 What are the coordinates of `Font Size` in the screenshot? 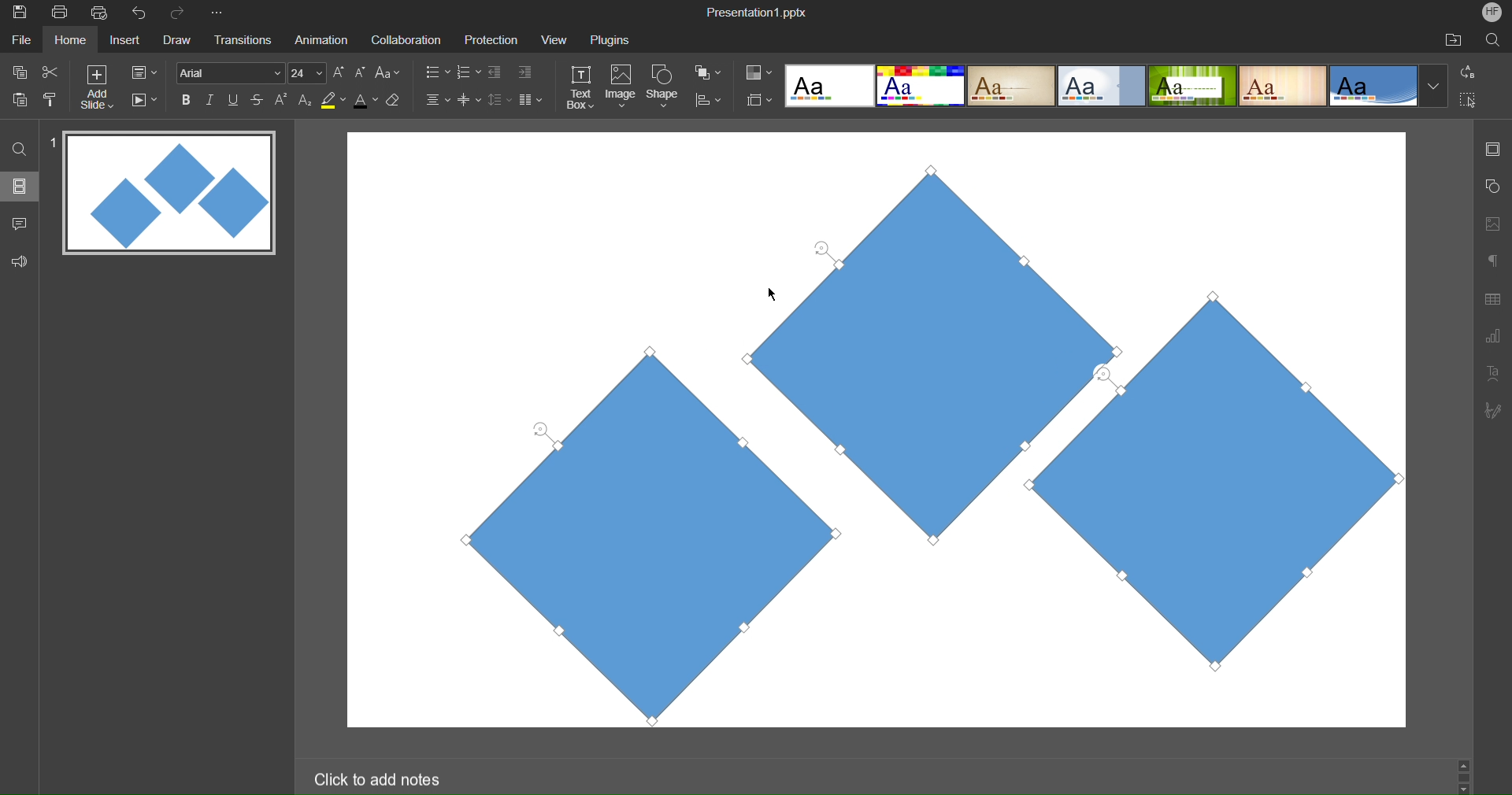 It's located at (307, 73).